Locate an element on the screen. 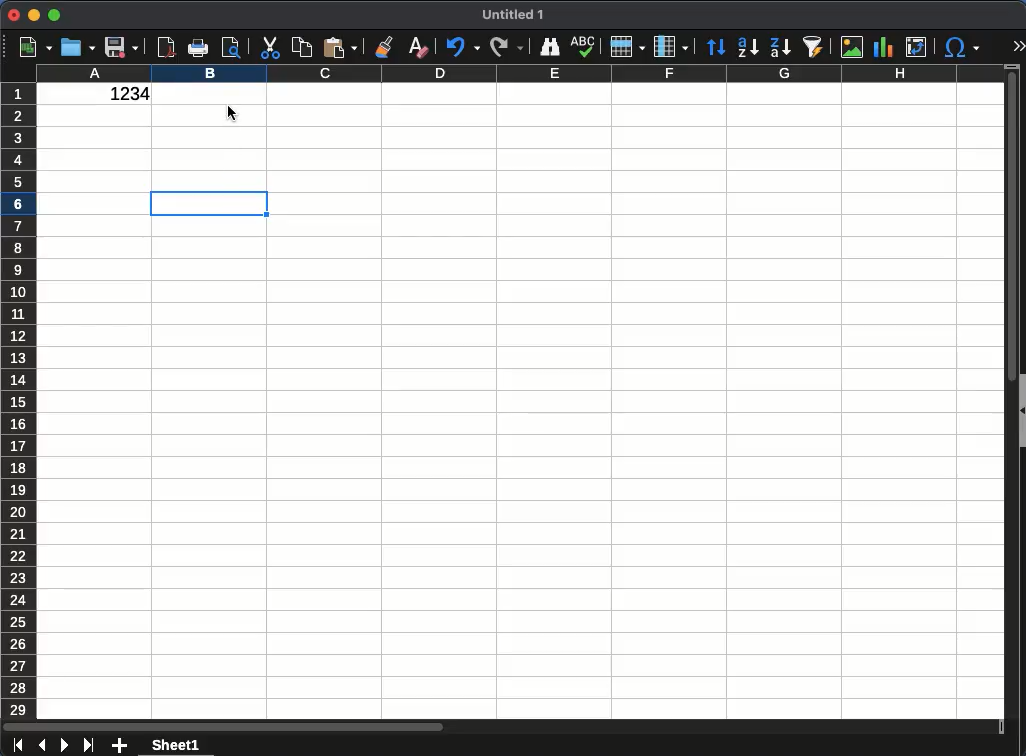 This screenshot has width=1026, height=756. descending is located at coordinates (780, 48).